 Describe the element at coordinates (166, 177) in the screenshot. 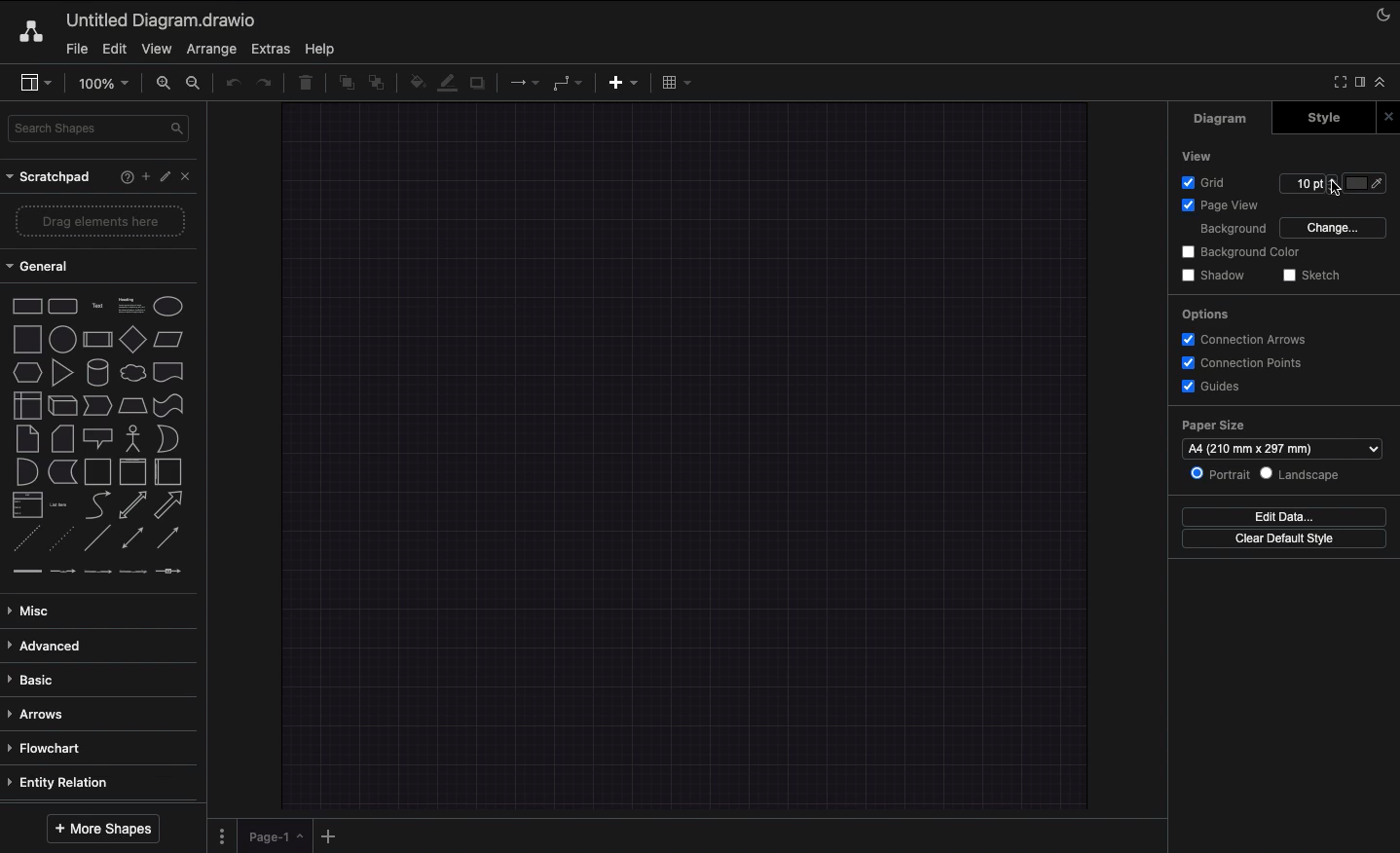

I see `Edit` at that location.